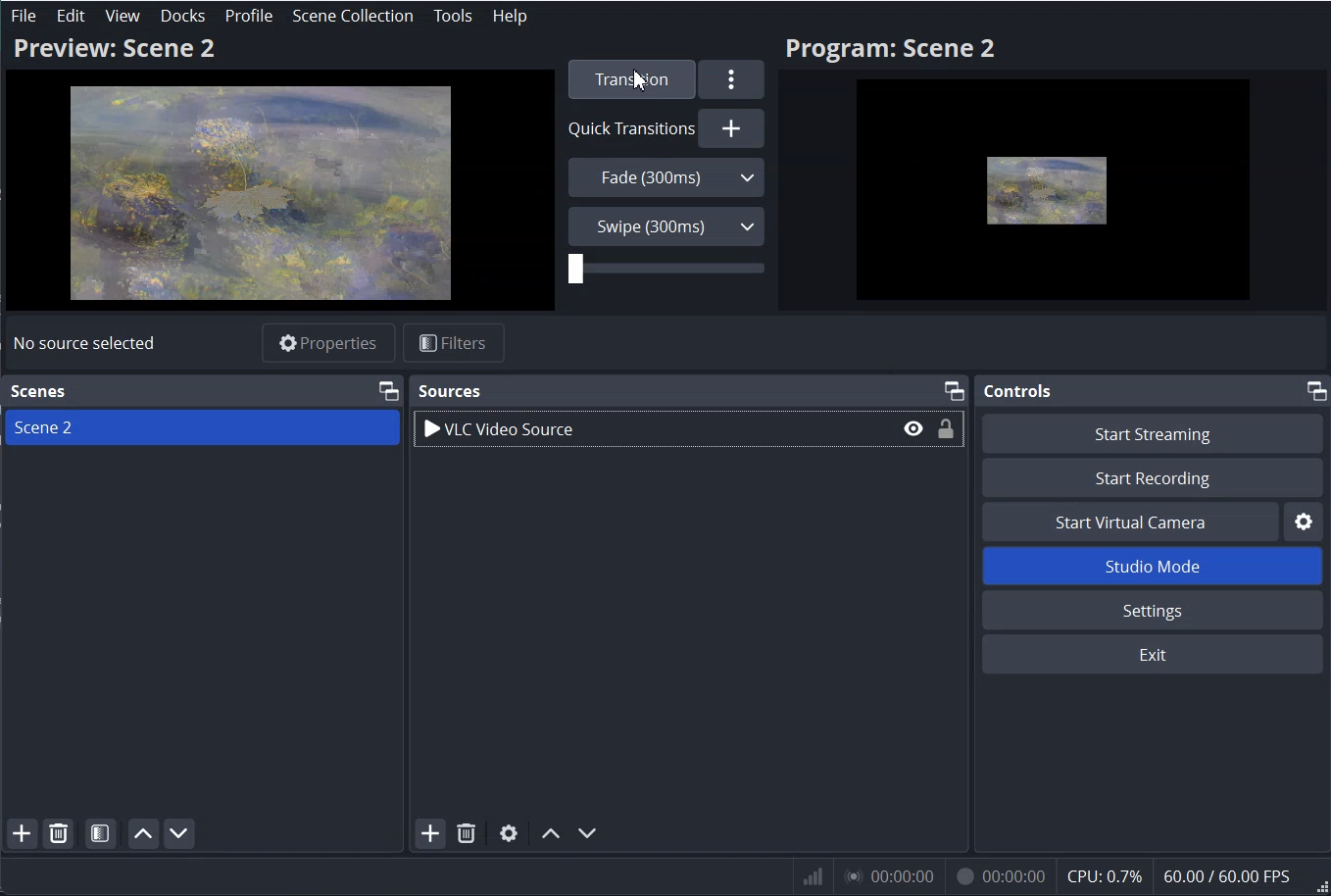 This screenshot has width=1331, height=896. What do you see at coordinates (666, 272) in the screenshot?
I see `Time Adjuster handle` at bounding box center [666, 272].